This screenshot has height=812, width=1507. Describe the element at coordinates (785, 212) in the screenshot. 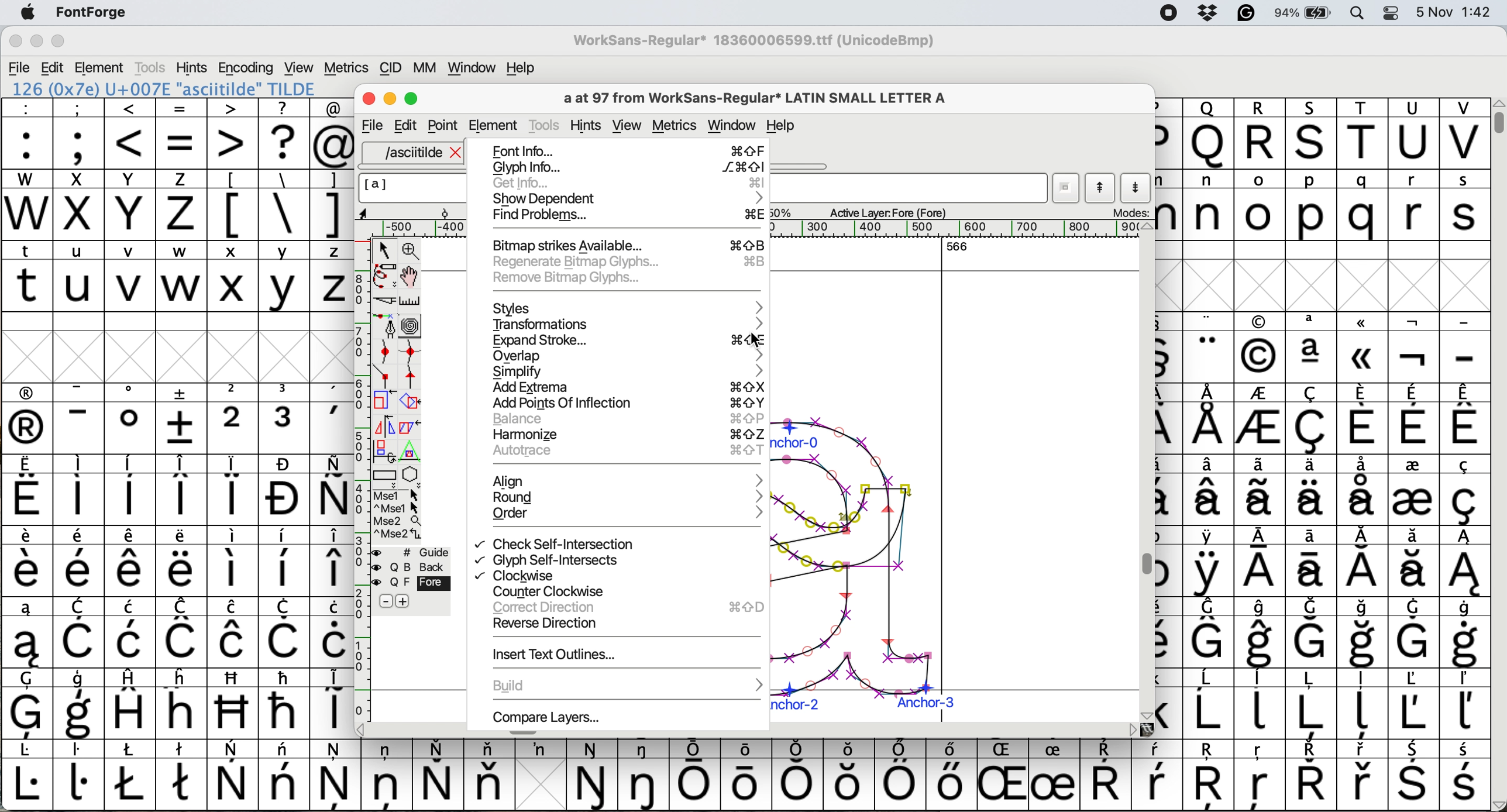

I see `zoom scale` at that location.